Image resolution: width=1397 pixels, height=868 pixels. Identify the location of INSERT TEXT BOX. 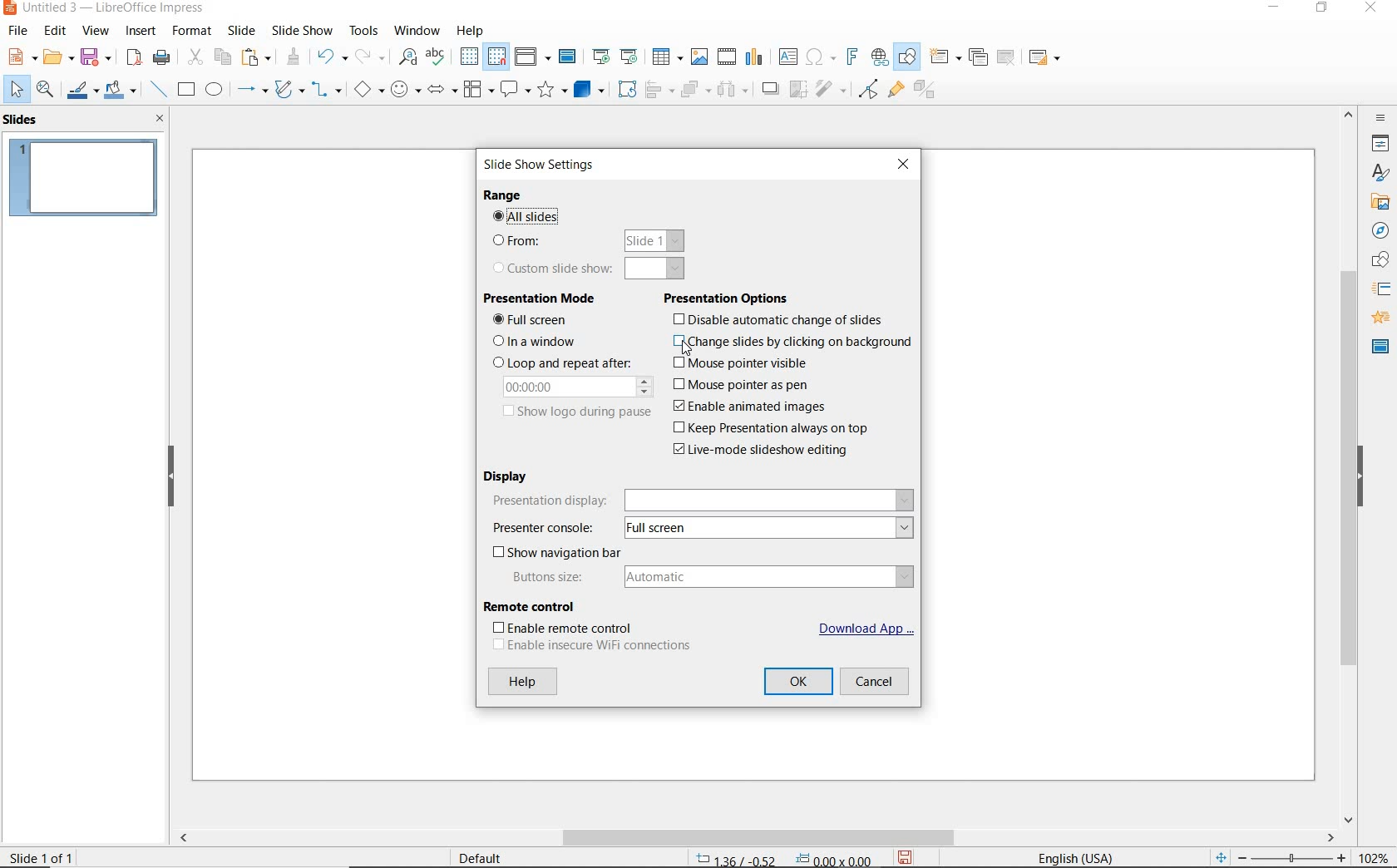
(789, 57).